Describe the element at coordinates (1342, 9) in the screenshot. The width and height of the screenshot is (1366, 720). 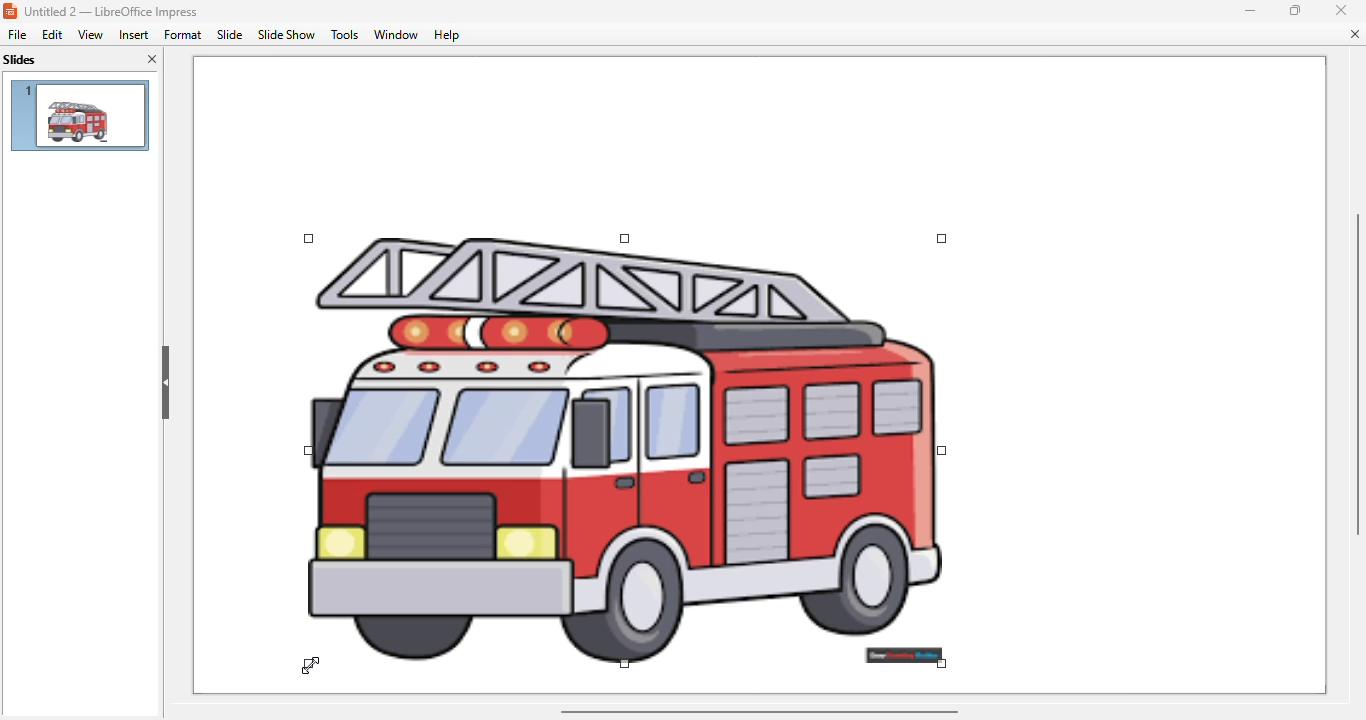
I see `close` at that location.